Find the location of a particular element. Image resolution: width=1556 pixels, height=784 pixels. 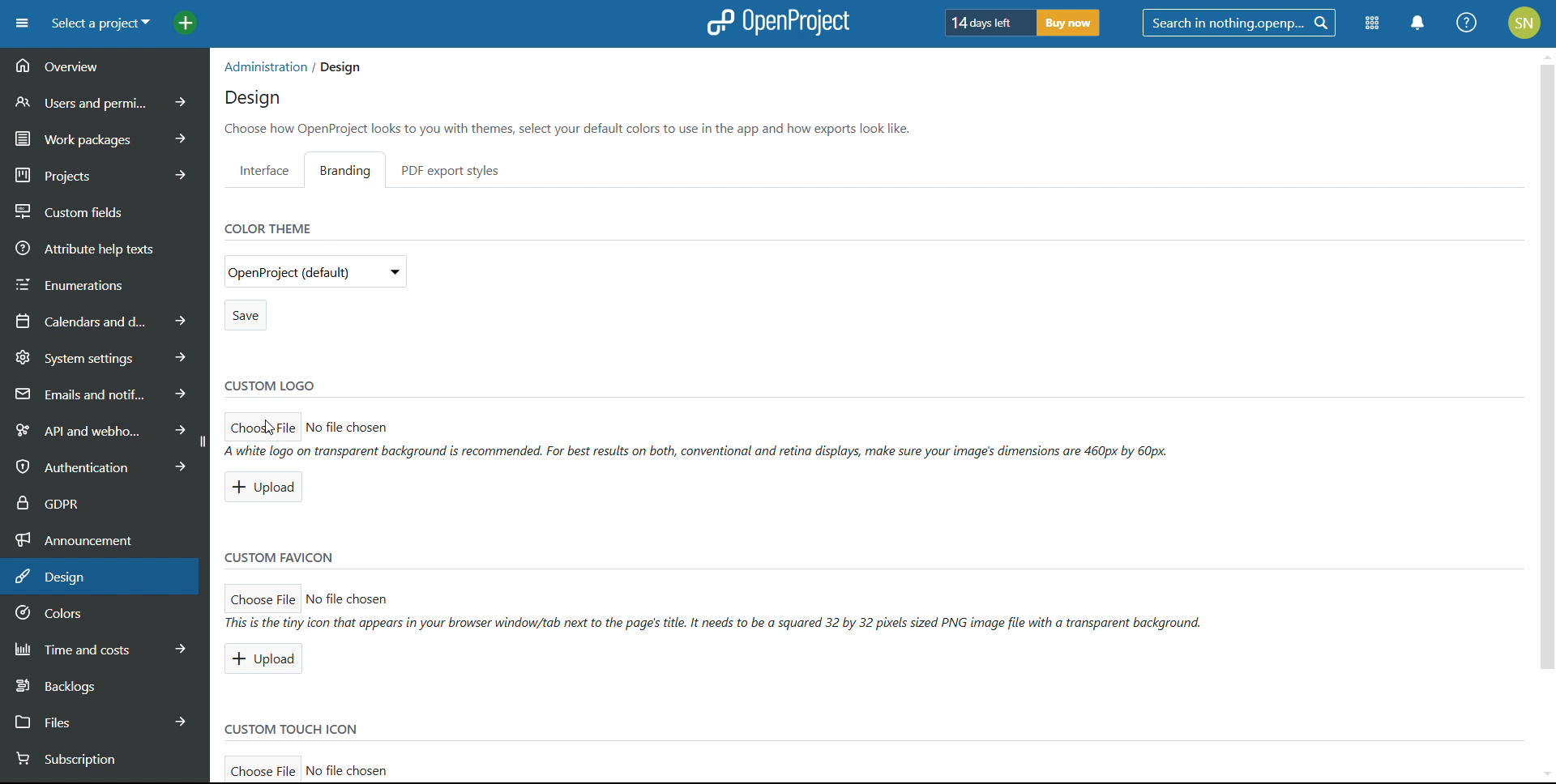

logo is located at coordinates (776, 23).